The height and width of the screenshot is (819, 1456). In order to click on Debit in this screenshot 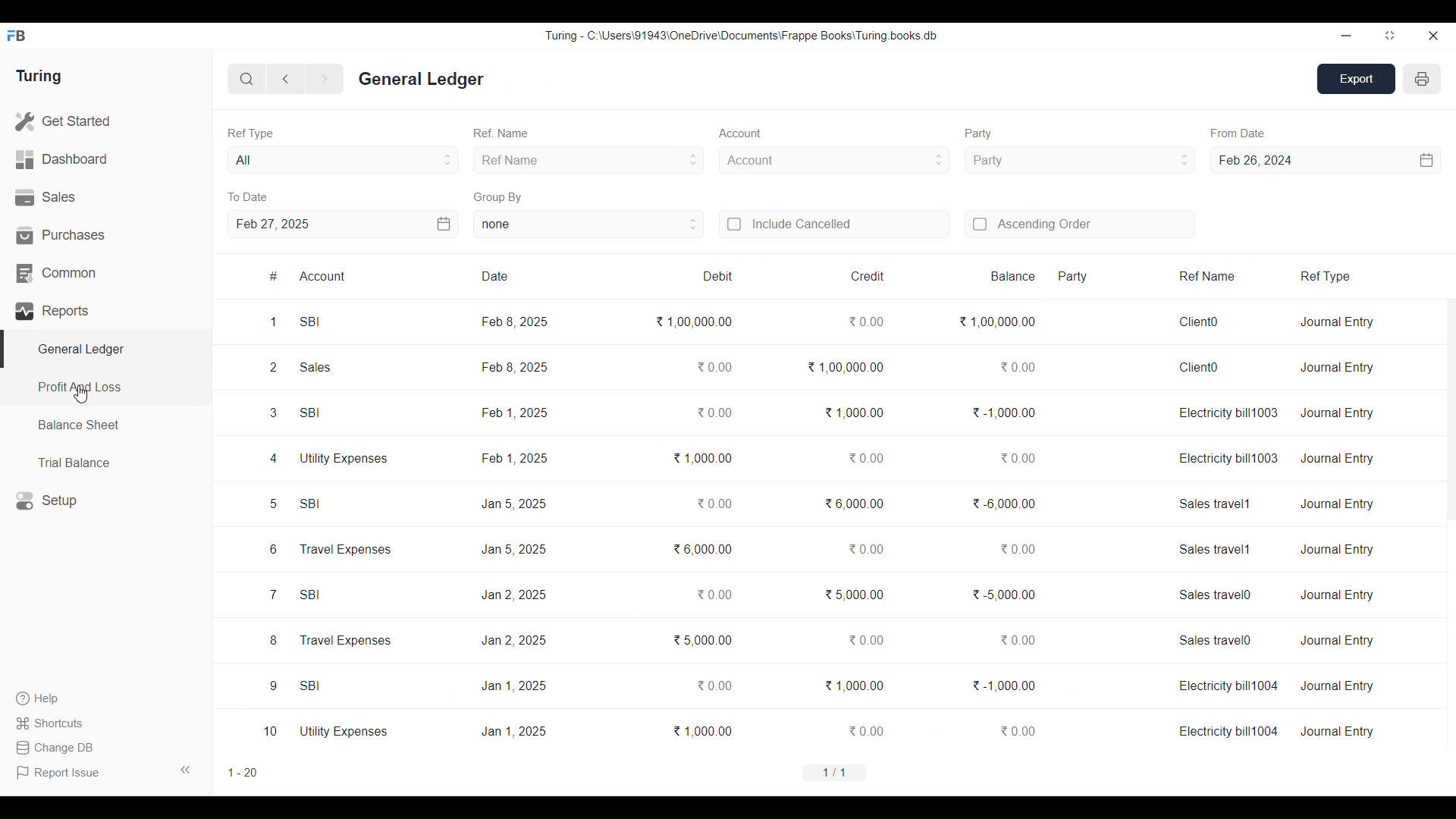, I will do `click(711, 276)`.